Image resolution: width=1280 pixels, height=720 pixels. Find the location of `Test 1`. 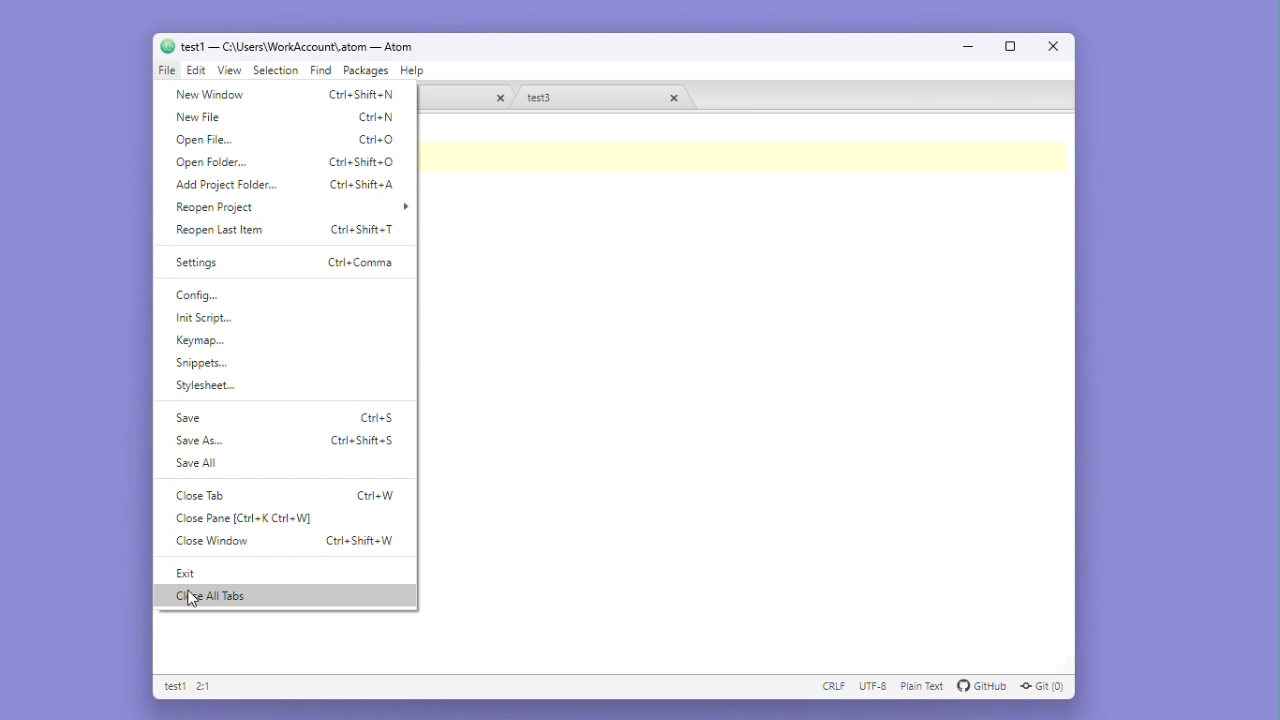

Test 1 is located at coordinates (172, 686).